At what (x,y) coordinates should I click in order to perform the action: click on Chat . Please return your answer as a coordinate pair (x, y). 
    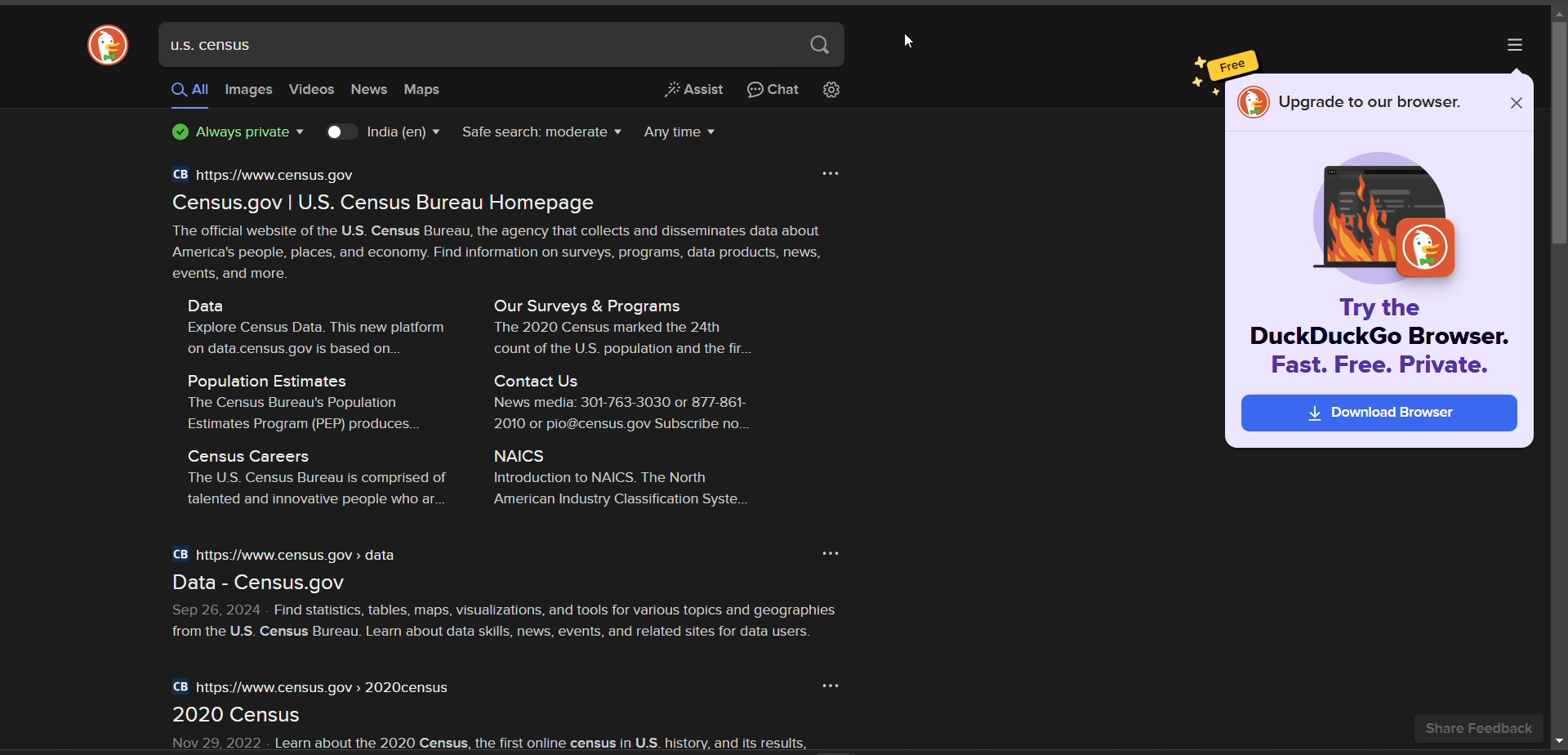
    Looking at the image, I should click on (773, 89).